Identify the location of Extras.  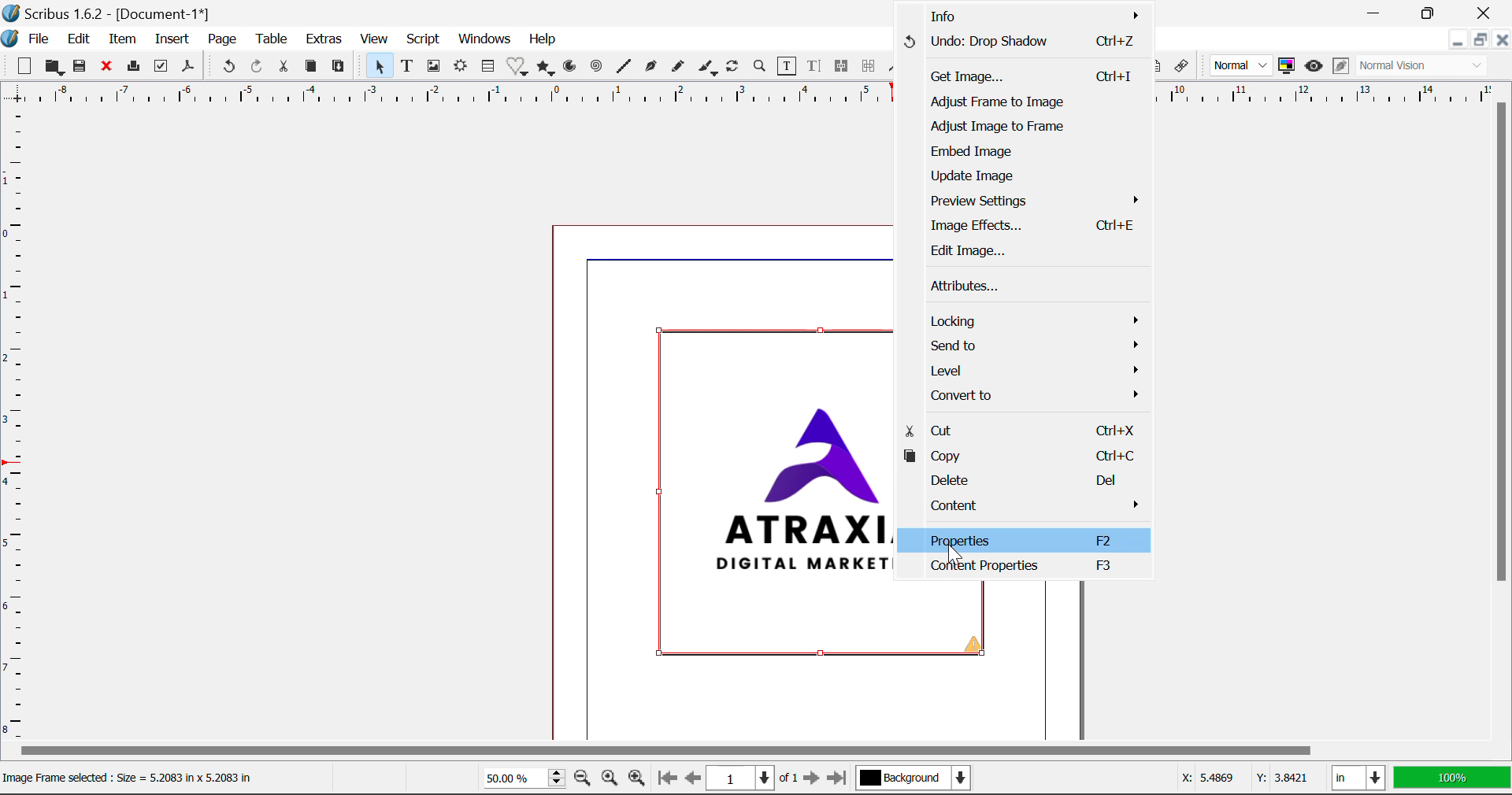
(324, 39).